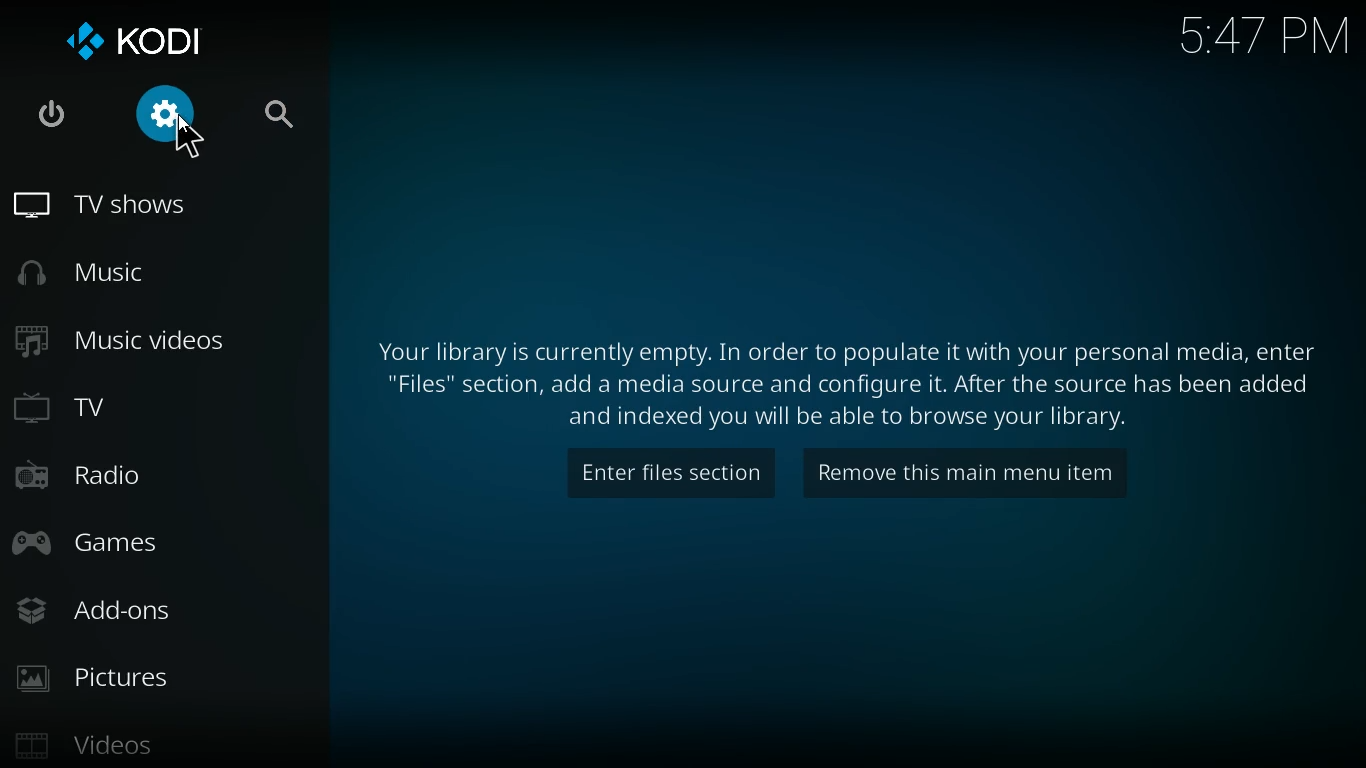  I want to click on power, so click(55, 116).